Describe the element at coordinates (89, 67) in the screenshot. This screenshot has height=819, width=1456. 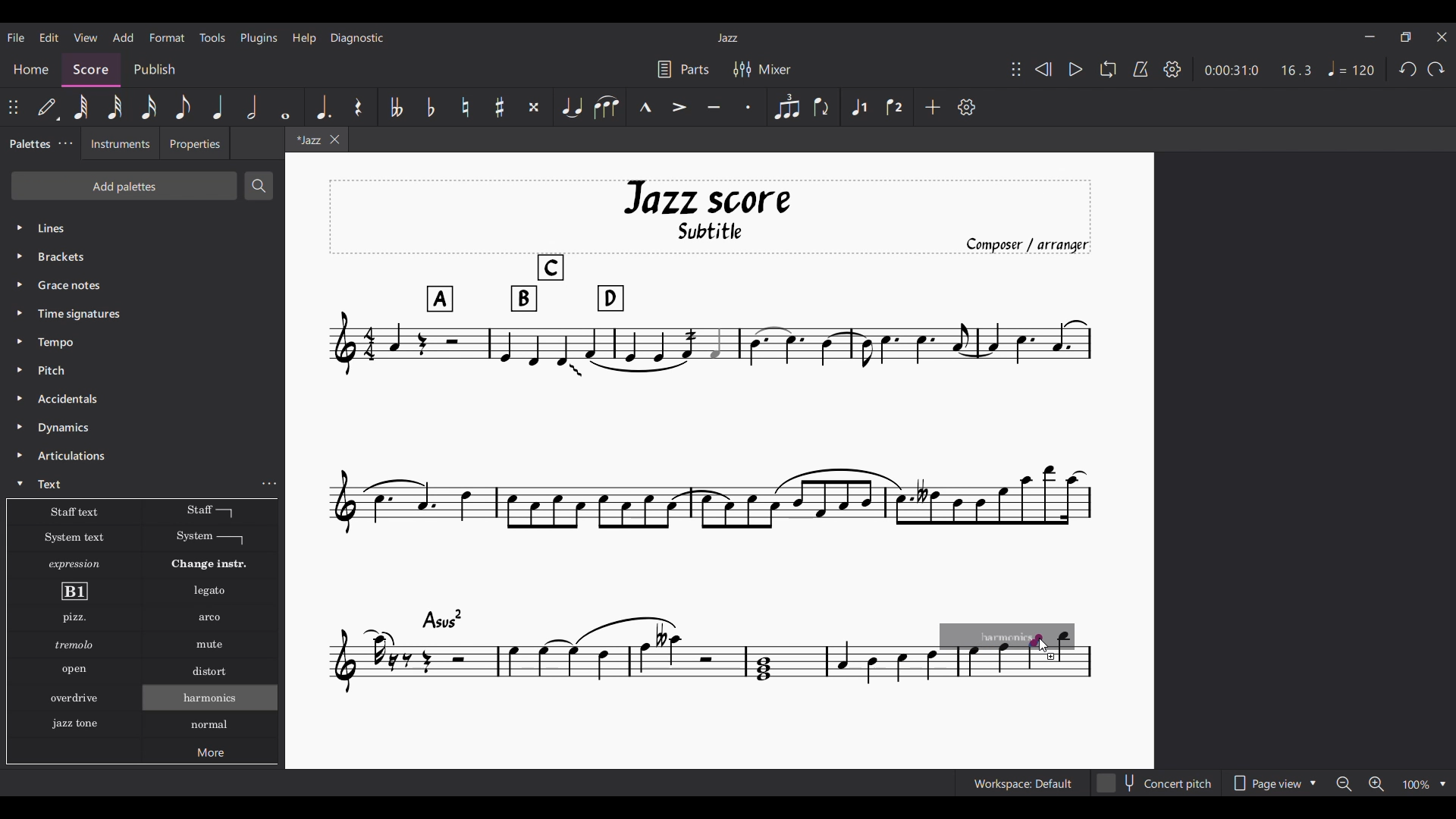
I see `Score, current section highlighted` at that location.